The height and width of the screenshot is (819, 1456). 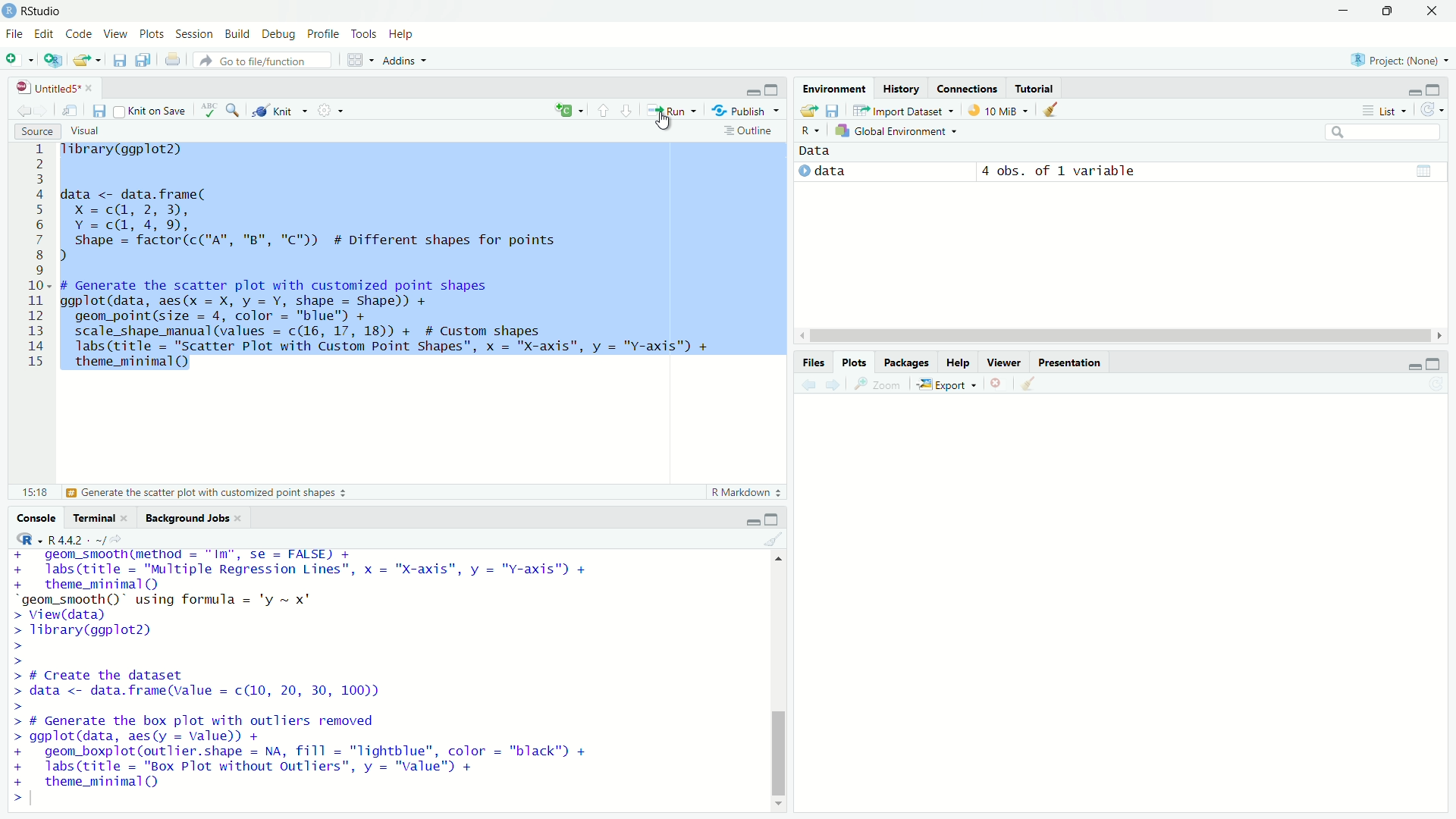 I want to click on Create a project, so click(x=54, y=59).